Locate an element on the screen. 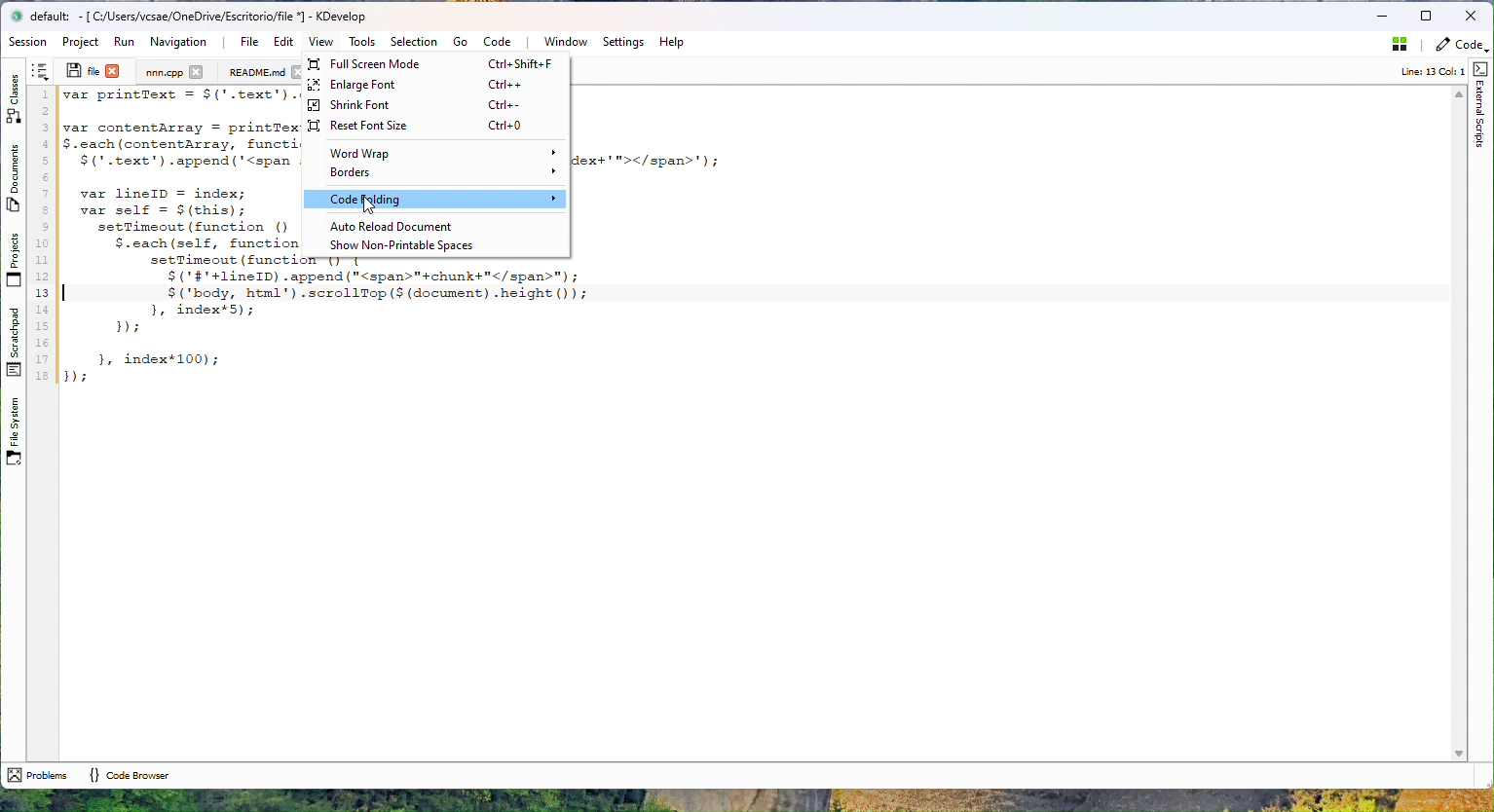 The height and width of the screenshot is (812, 1494). Enlarge Font is located at coordinates (430, 86).